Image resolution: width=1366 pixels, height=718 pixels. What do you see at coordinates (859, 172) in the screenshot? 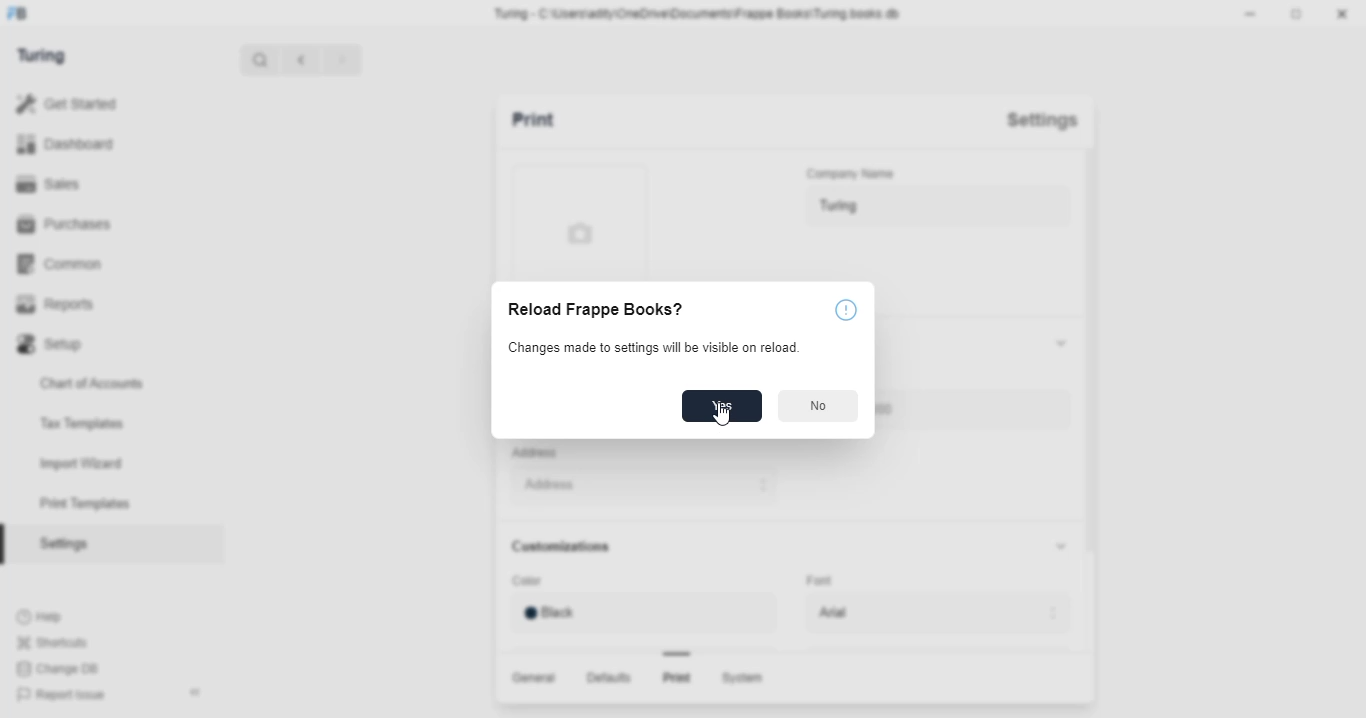
I see `‘Company Name` at bounding box center [859, 172].